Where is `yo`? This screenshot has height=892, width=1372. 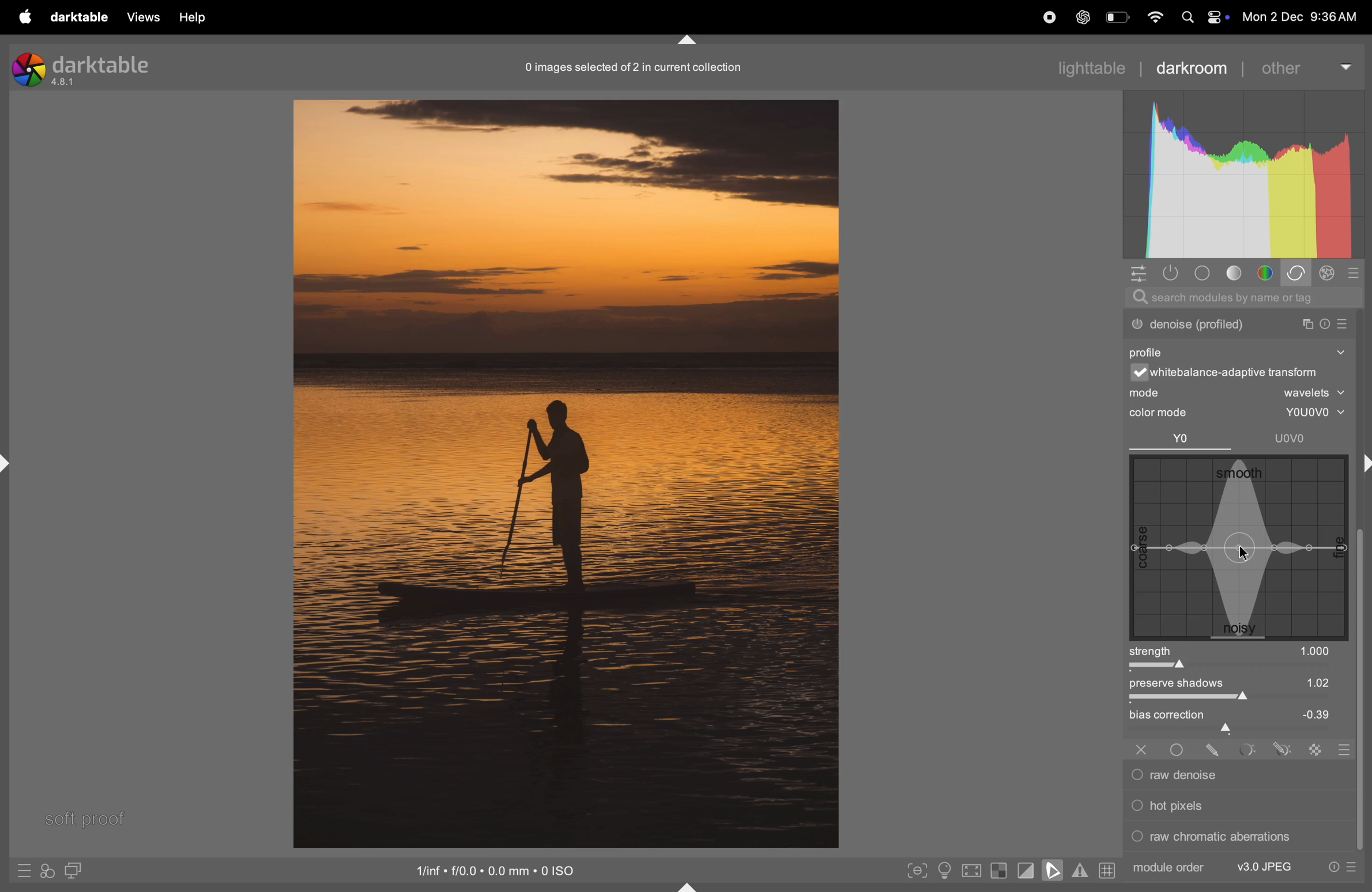
yo is located at coordinates (1182, 440).